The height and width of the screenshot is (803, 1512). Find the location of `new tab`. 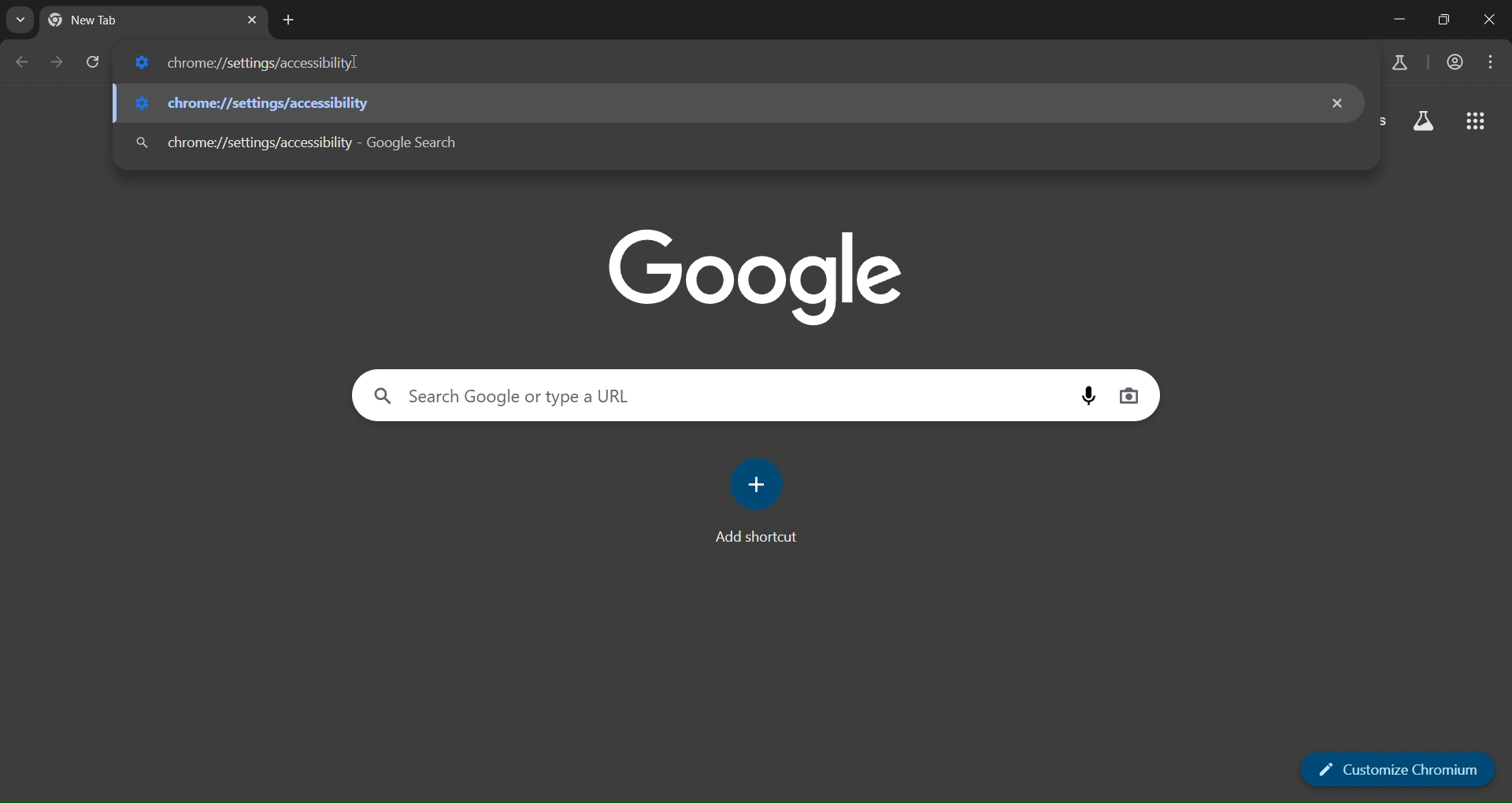

new tab is located at coordinates (287, 20).